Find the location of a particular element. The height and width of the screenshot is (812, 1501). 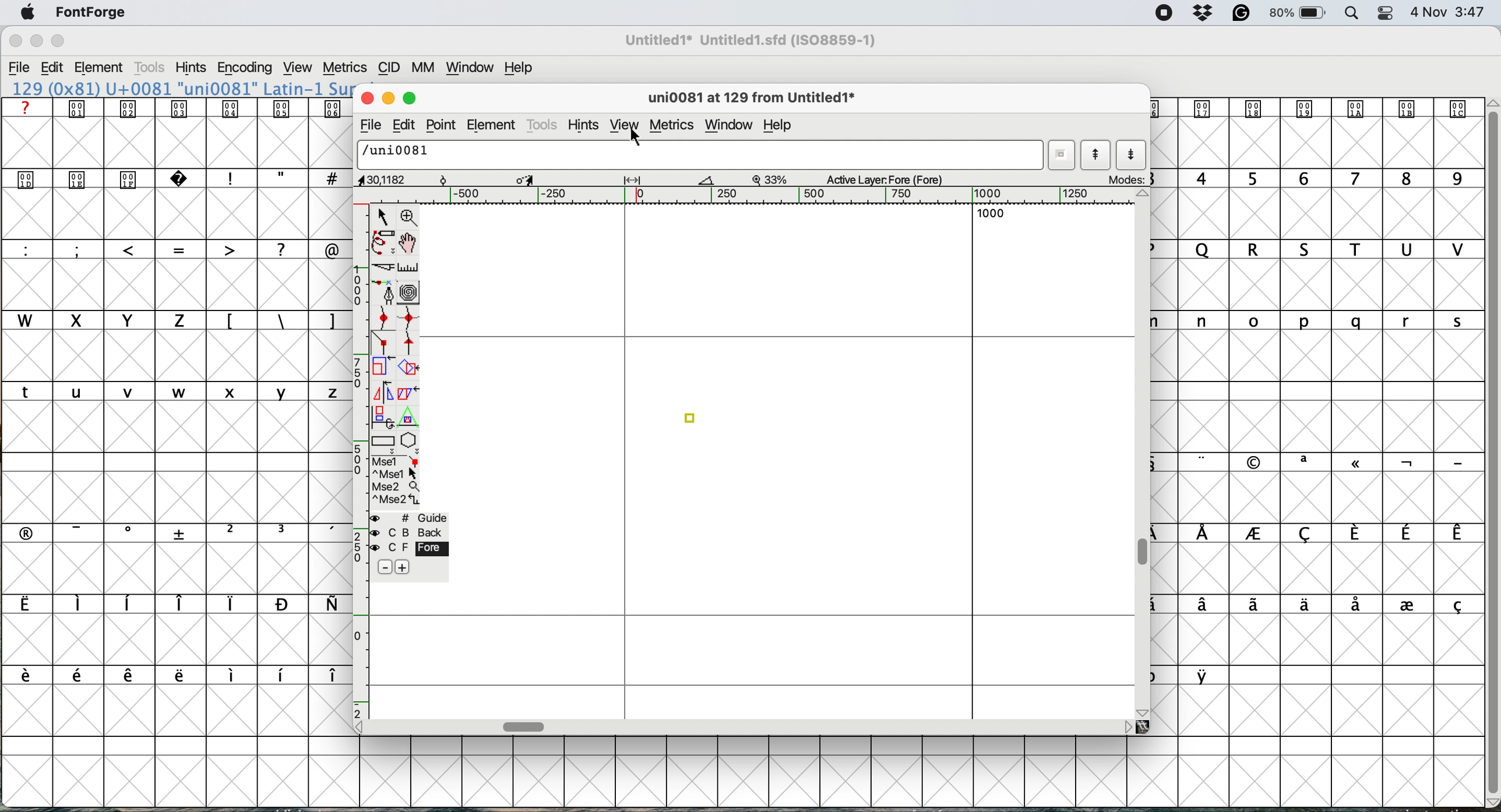

connector point is located at coordinates (693, 417).